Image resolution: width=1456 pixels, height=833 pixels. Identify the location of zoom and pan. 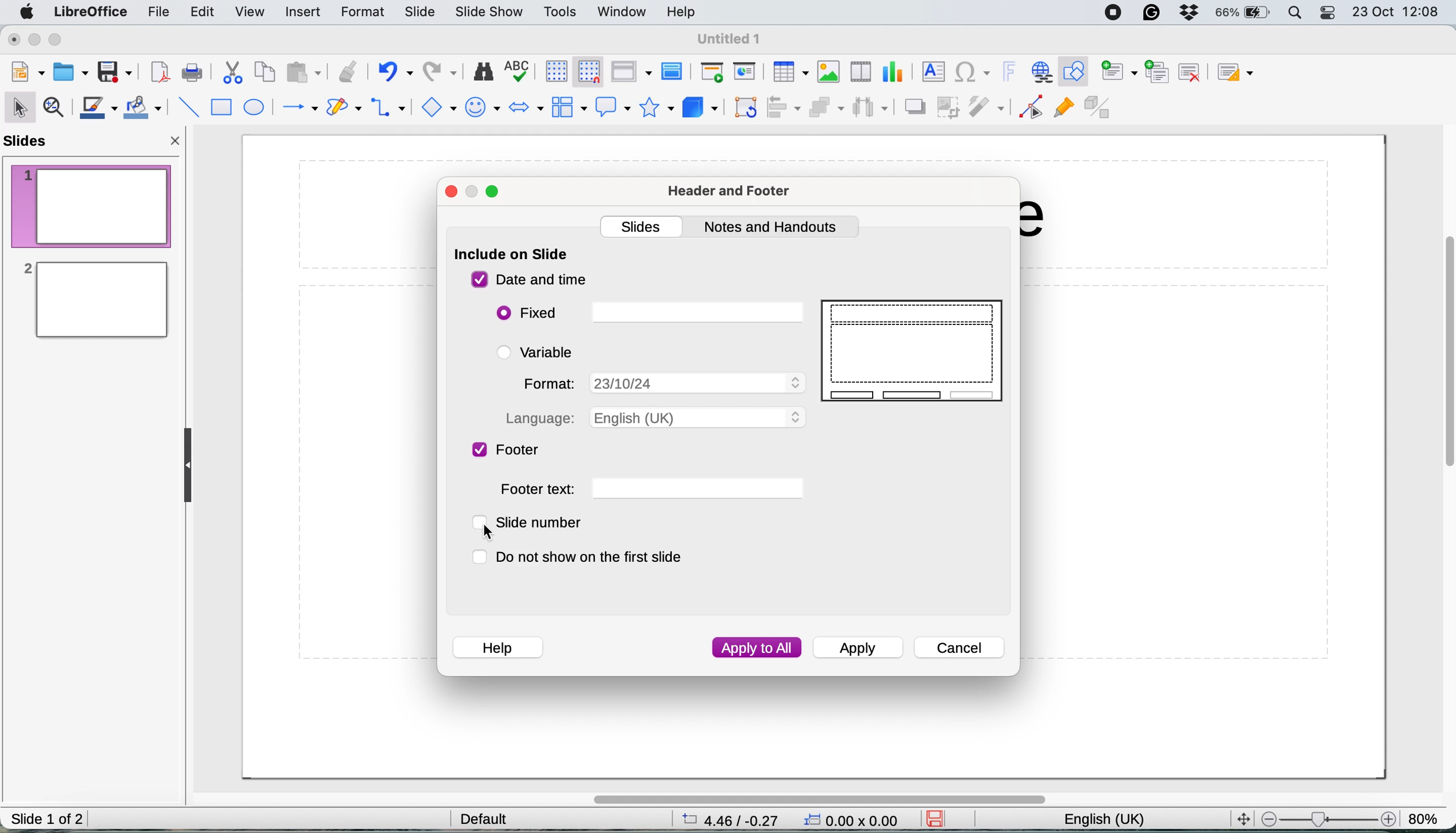
(56, 109).